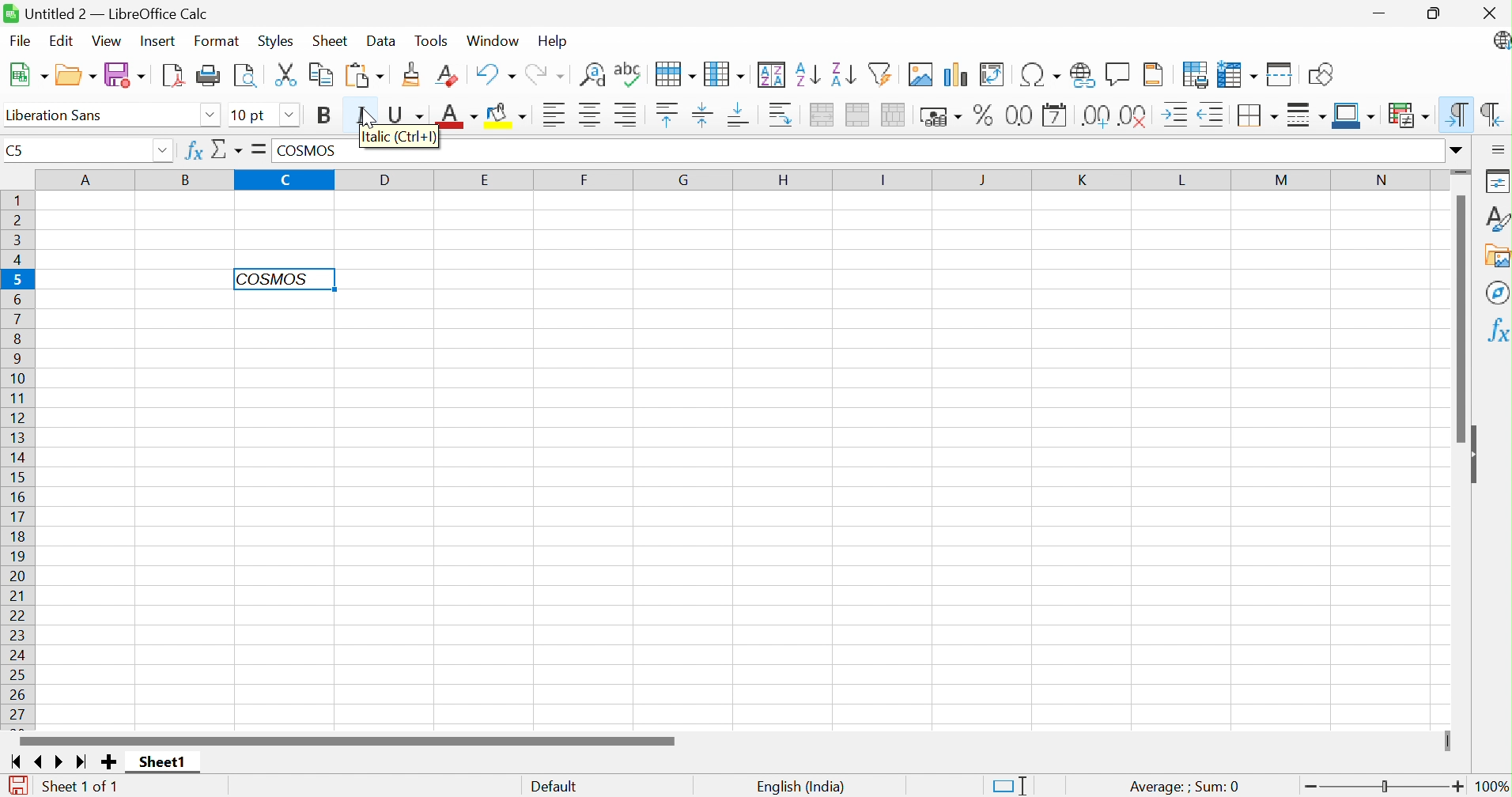 Image resolution: width=1512 pixels, height=797 pixels. What do you see at coordinates (256, 149) in the screenshot?
I see `Formula` at bounding box center [256, 149].